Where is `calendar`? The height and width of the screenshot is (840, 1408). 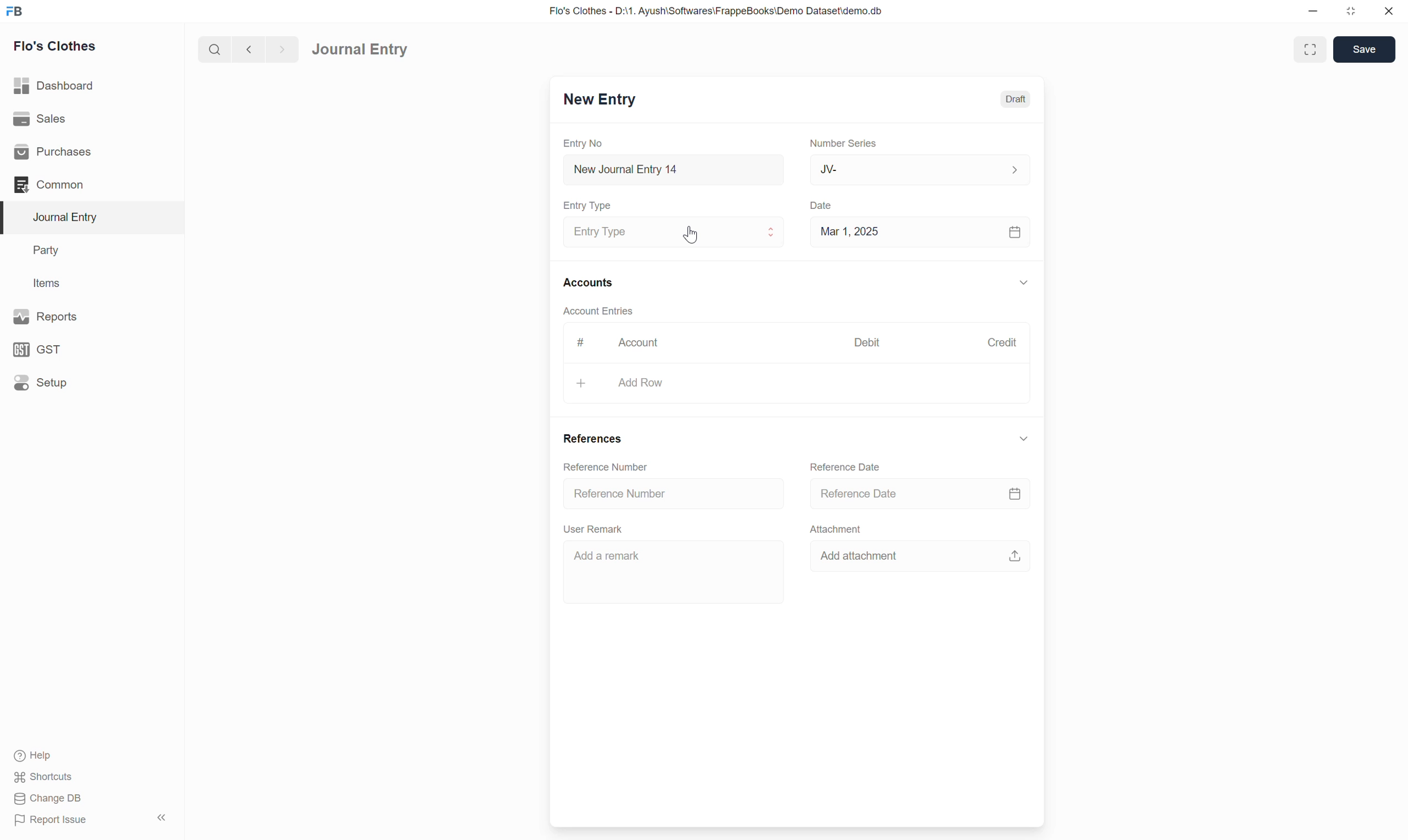
calendar is located at coordinates (1015, 491).